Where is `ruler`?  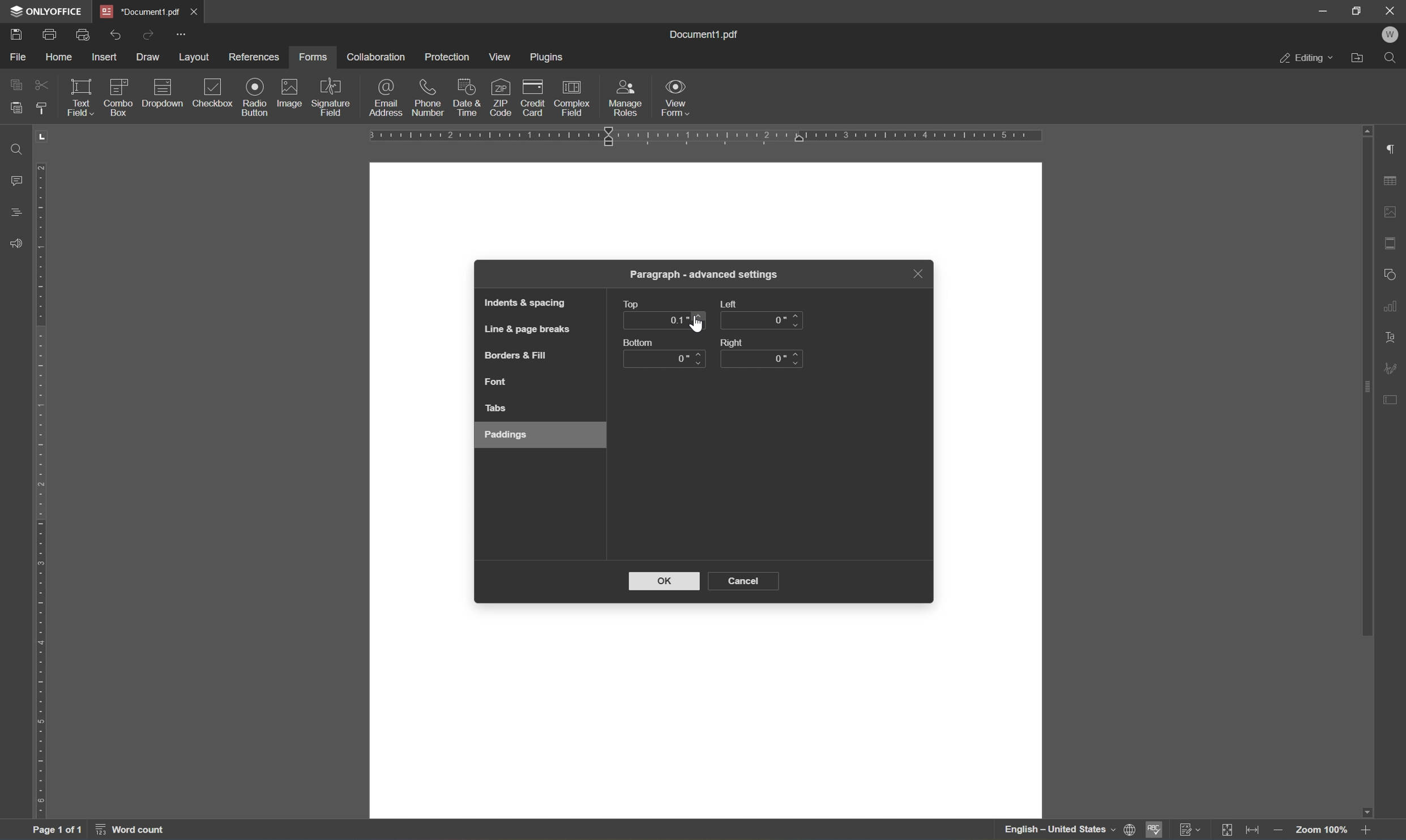 ruler is located at coordinates (706, 138).